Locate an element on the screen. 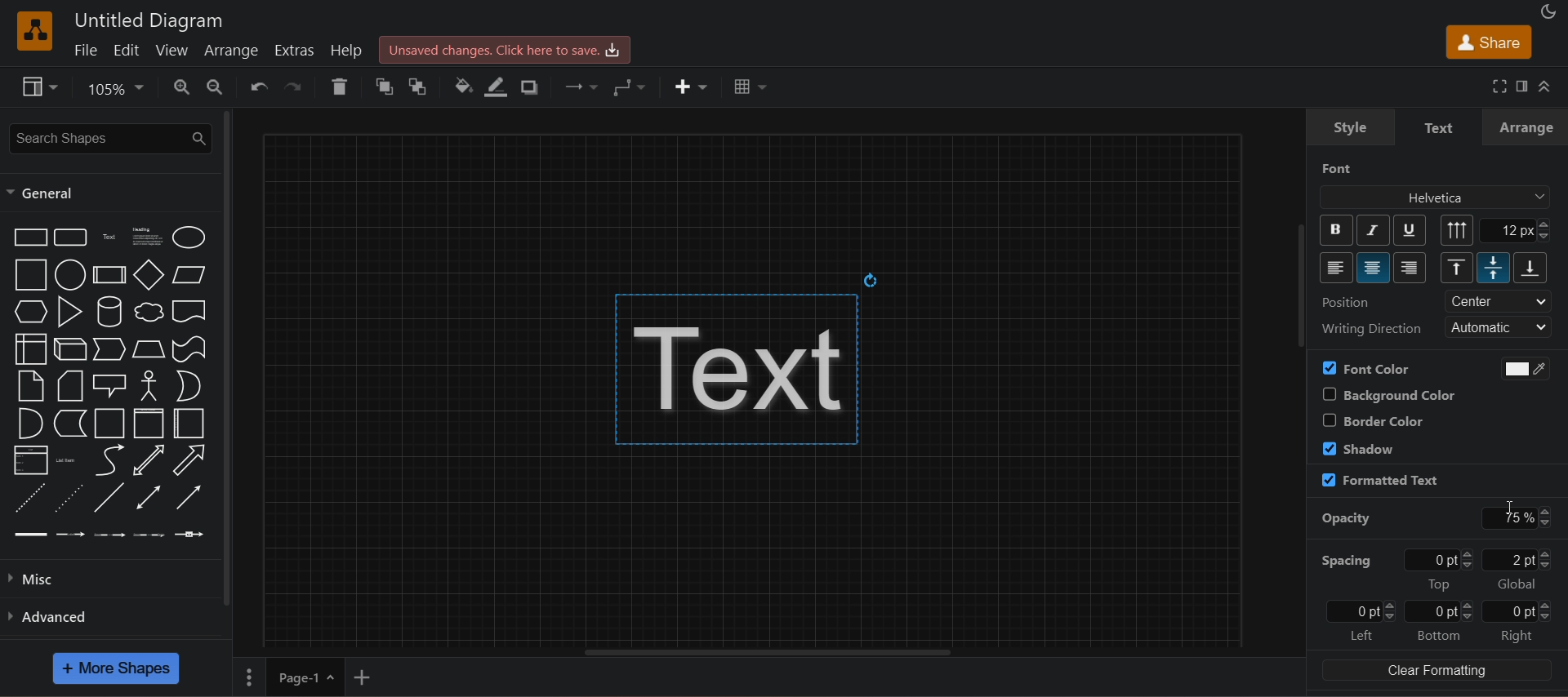  vertical is located at coordinates (1458, 230).